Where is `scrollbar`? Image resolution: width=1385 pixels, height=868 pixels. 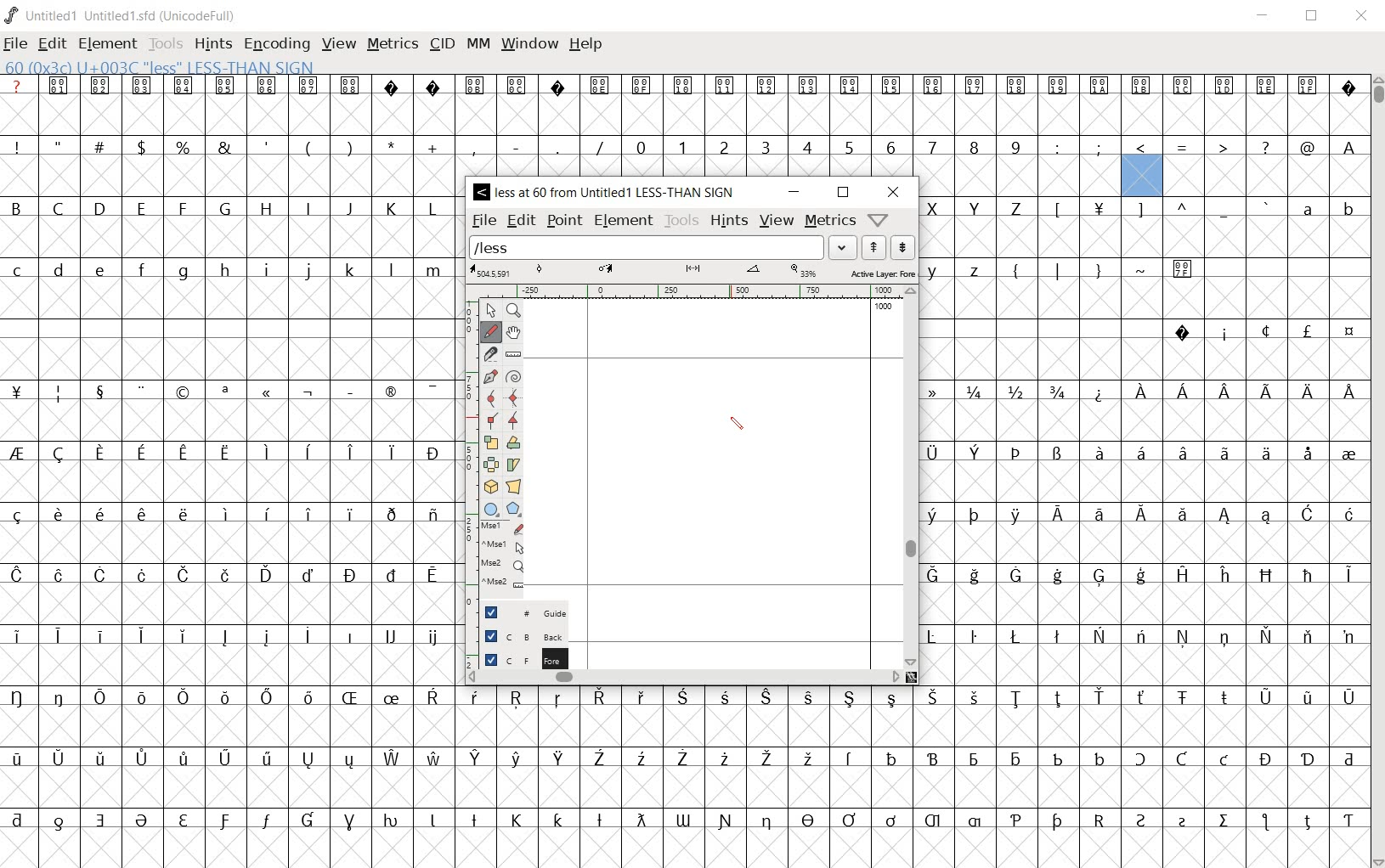 scrollbar is located at coordinates (911, 476).